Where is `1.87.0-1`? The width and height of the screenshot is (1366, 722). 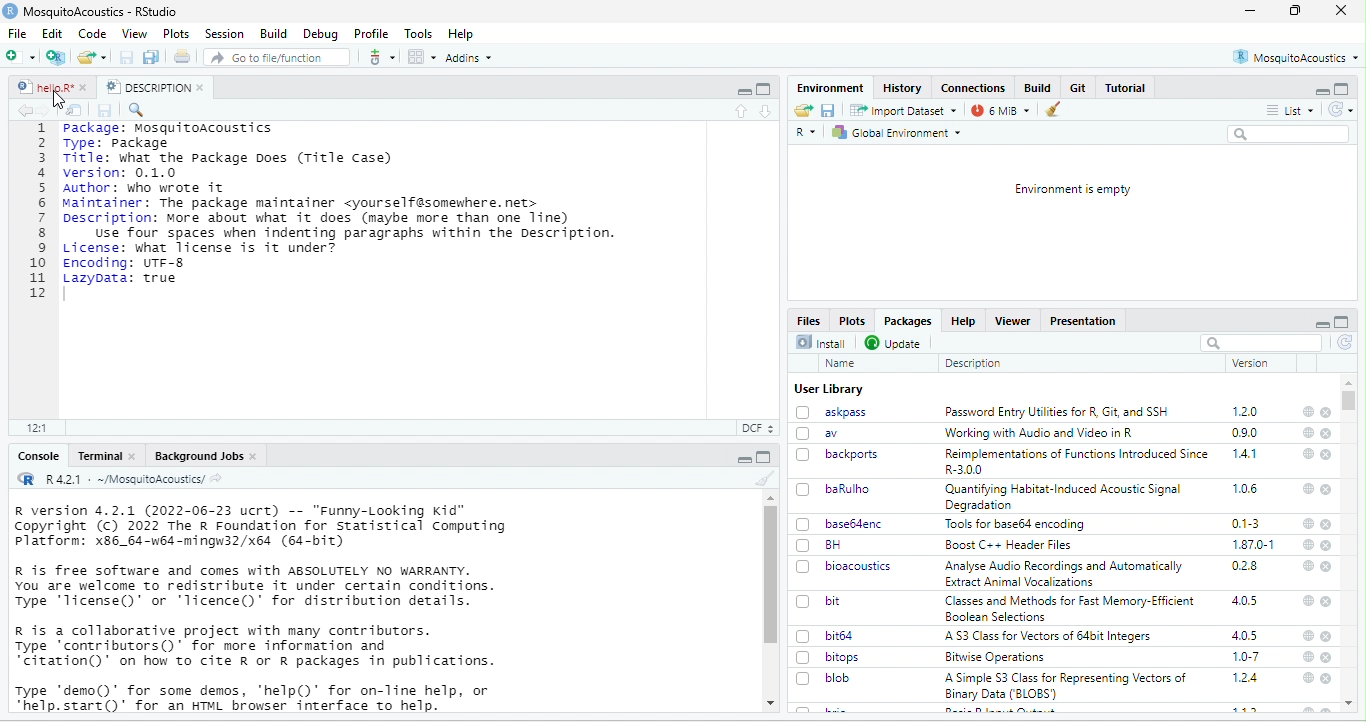
1.87.0-1 is located at coordinates (1255, 544).